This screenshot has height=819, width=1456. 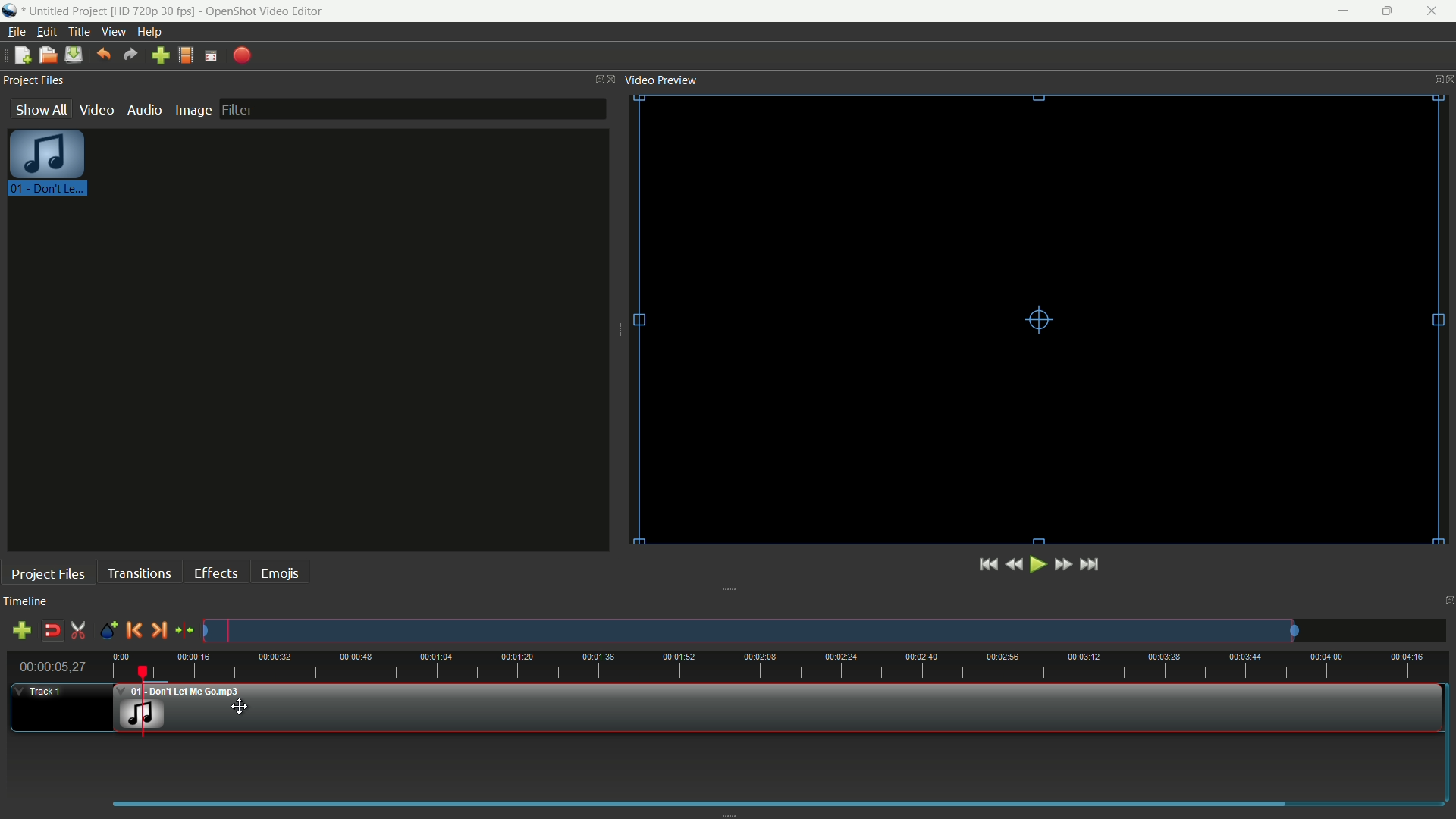 What do you see at coordinates (665, 79) in the screenshot?
I see `video preview` at bounding box center [665, 79].